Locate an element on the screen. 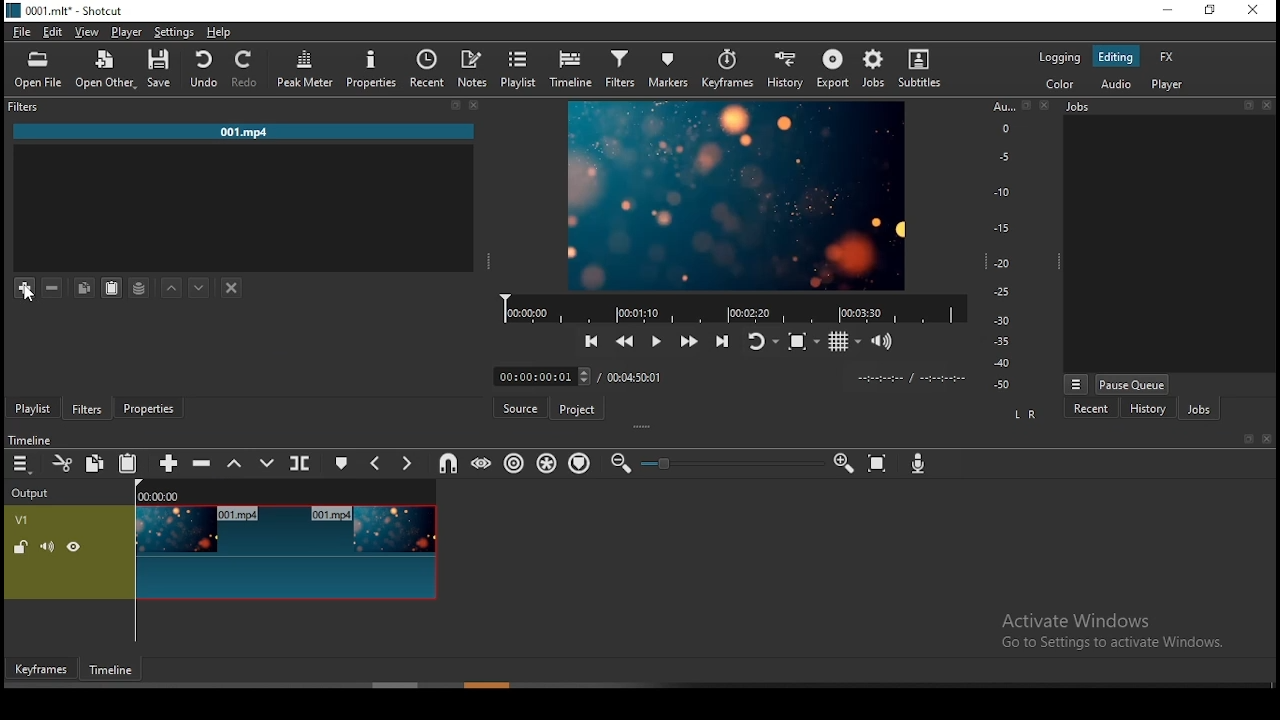  view as tiles is located at coordinates (232, 378).